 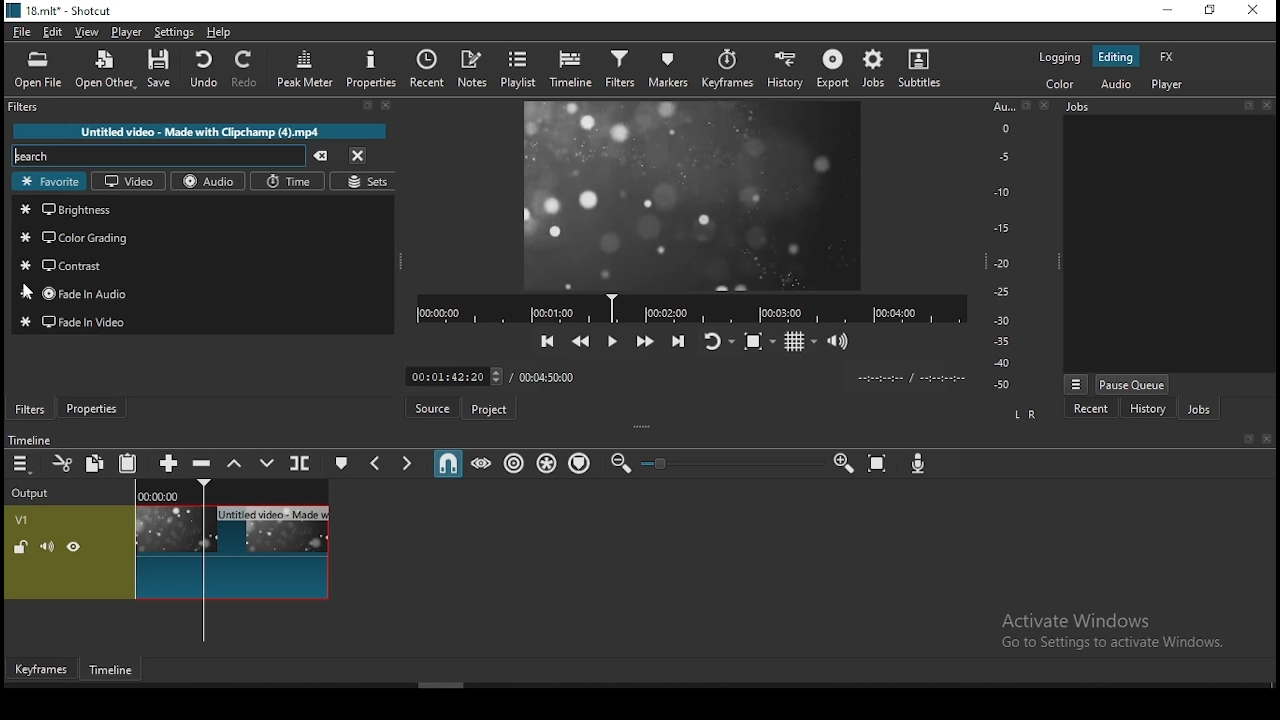 I want to click on zoom timeline in, so click(x=842, y=462).